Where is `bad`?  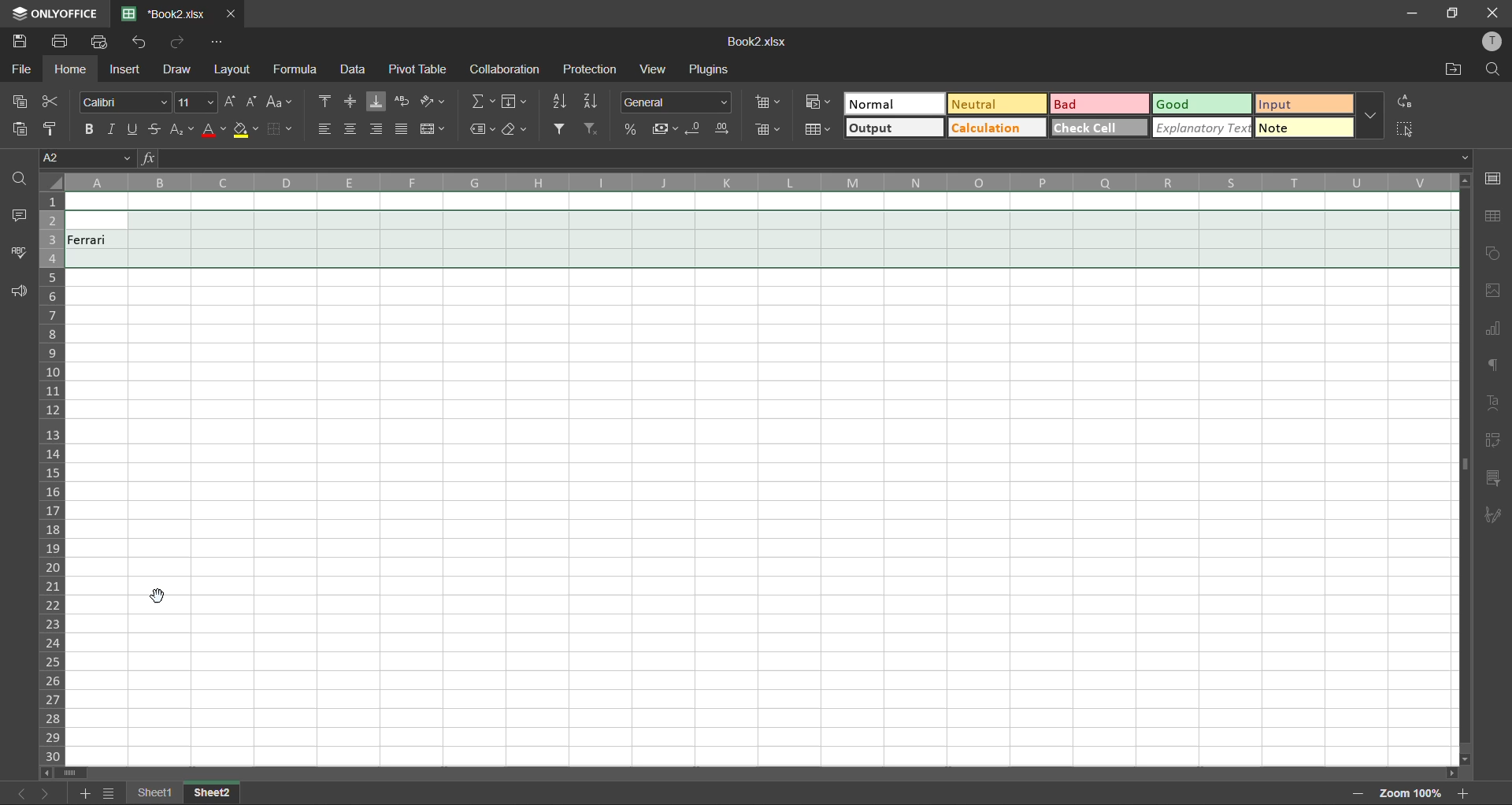
bad is located at coordinates (1099, 102).